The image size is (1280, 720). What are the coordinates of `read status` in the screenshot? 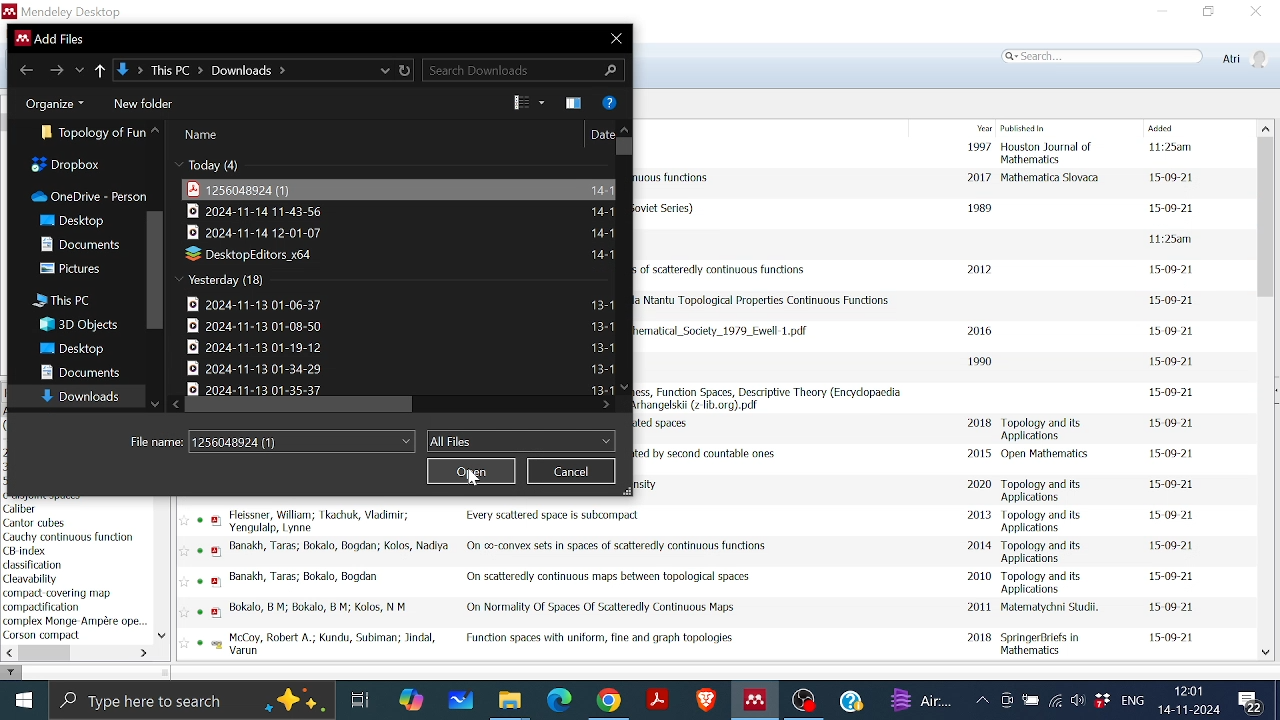 It's located at (204, 580).